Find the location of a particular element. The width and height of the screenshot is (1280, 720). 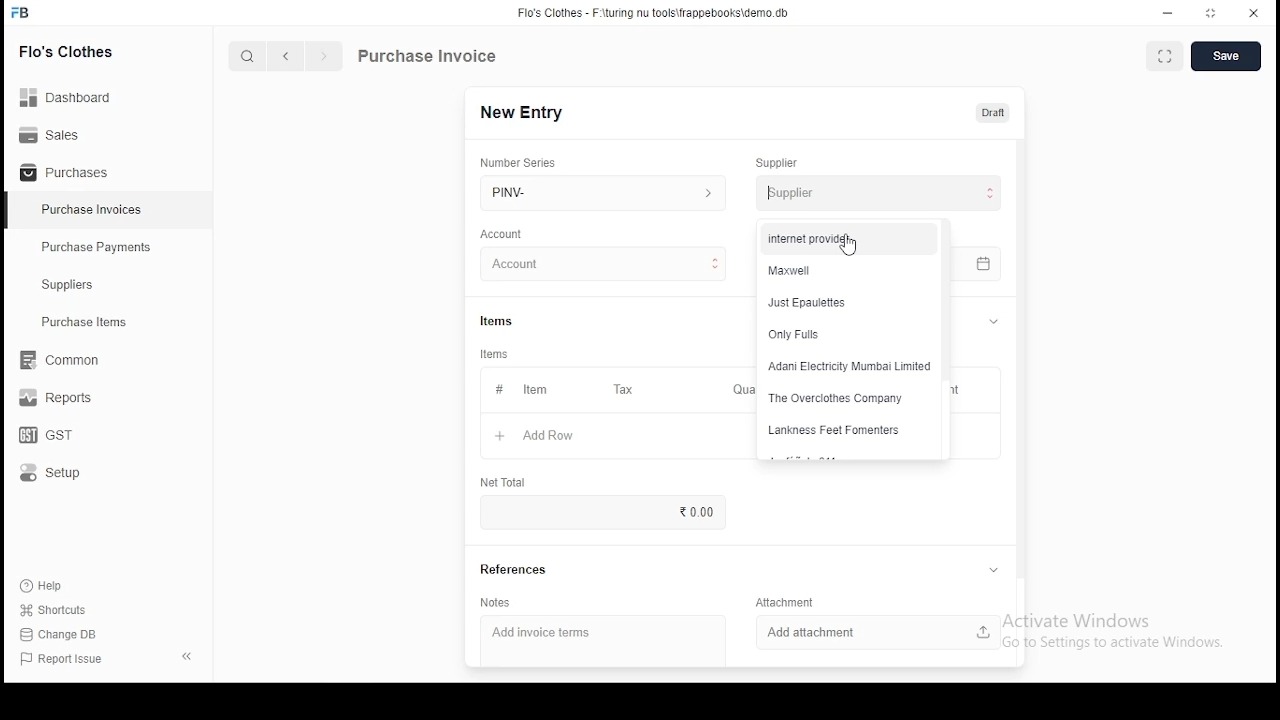

Suppliers is located at coordinates (72, 285).